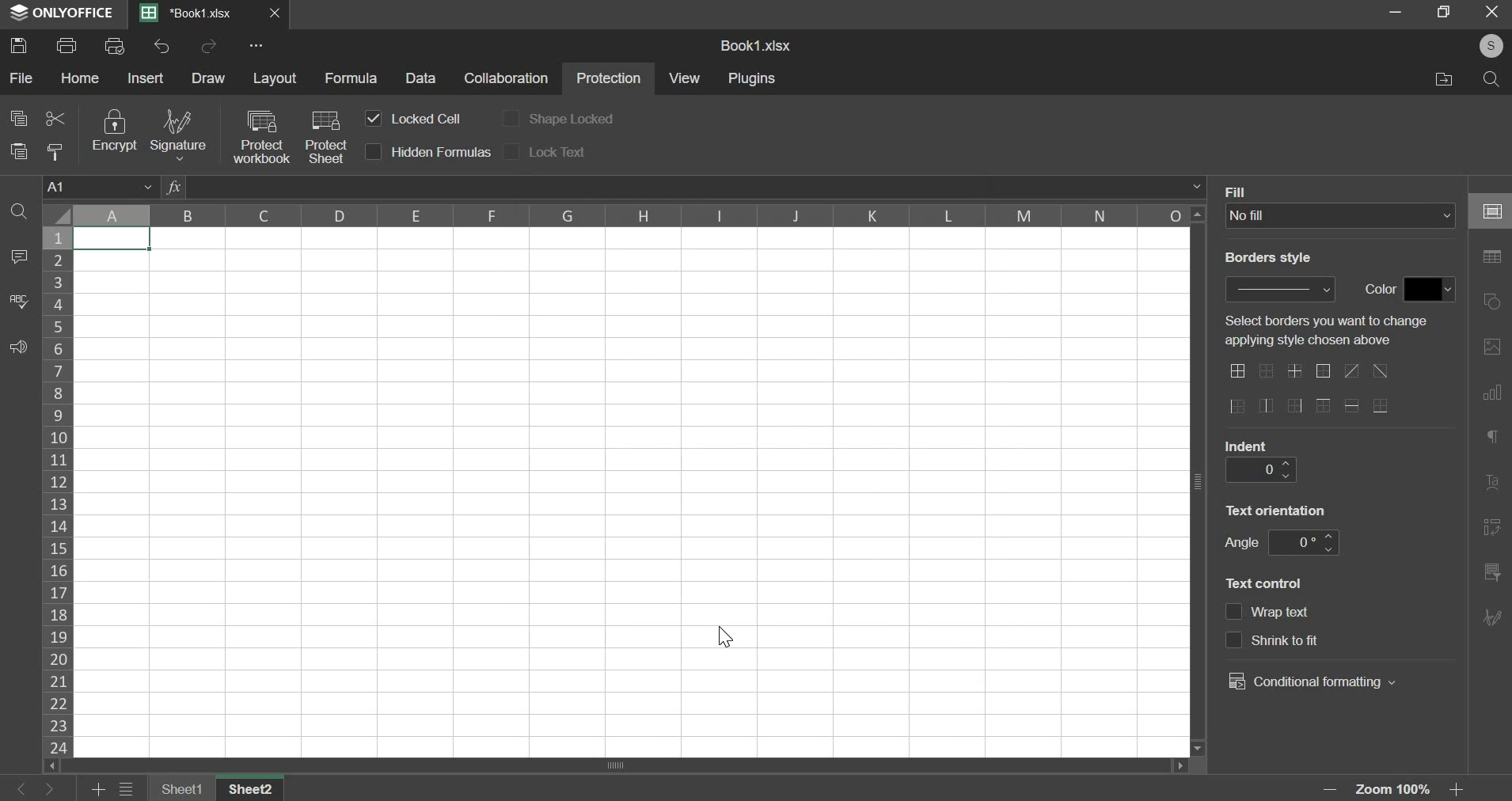 This screenshot has height=801, width=1512. What do you see at coordinates (1311, 681) in the screenshot?
I see `conditional formatting` at bounding box center [1311, 681].